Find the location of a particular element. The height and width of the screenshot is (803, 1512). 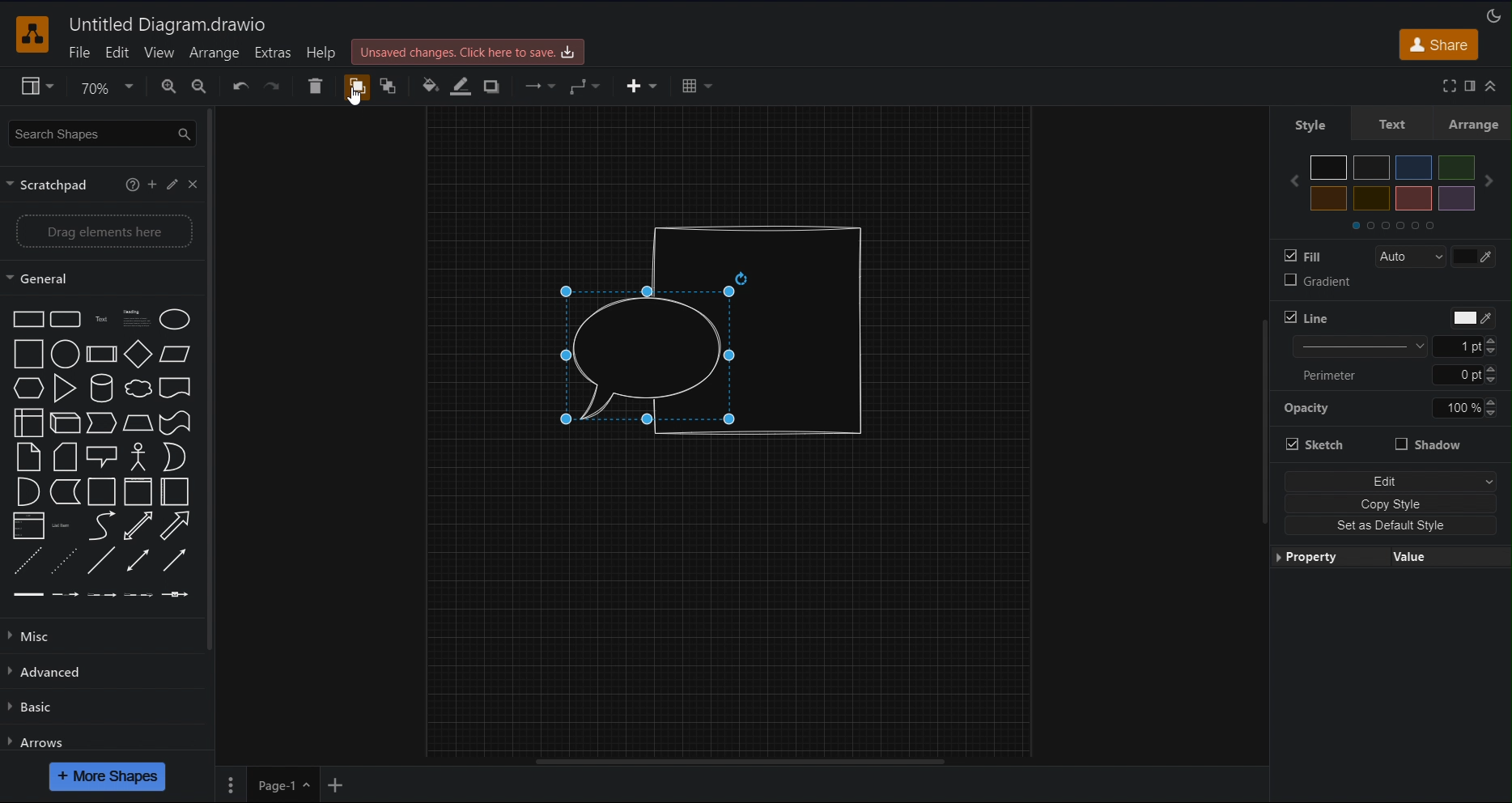

Set as Default Style is located at coordinates (1391, 525).